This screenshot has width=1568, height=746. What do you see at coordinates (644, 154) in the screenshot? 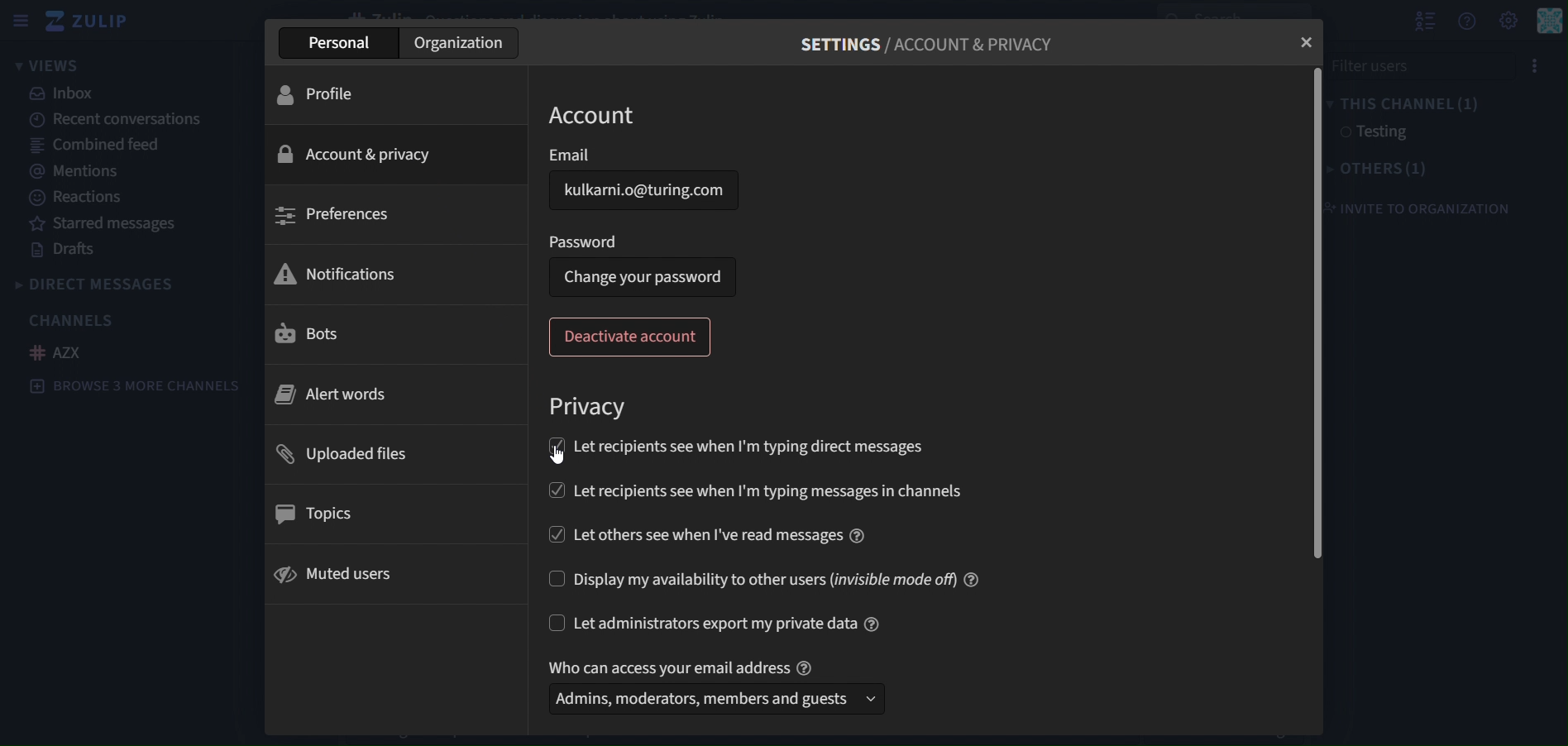
I see `email` at bounding box center [644, 154].